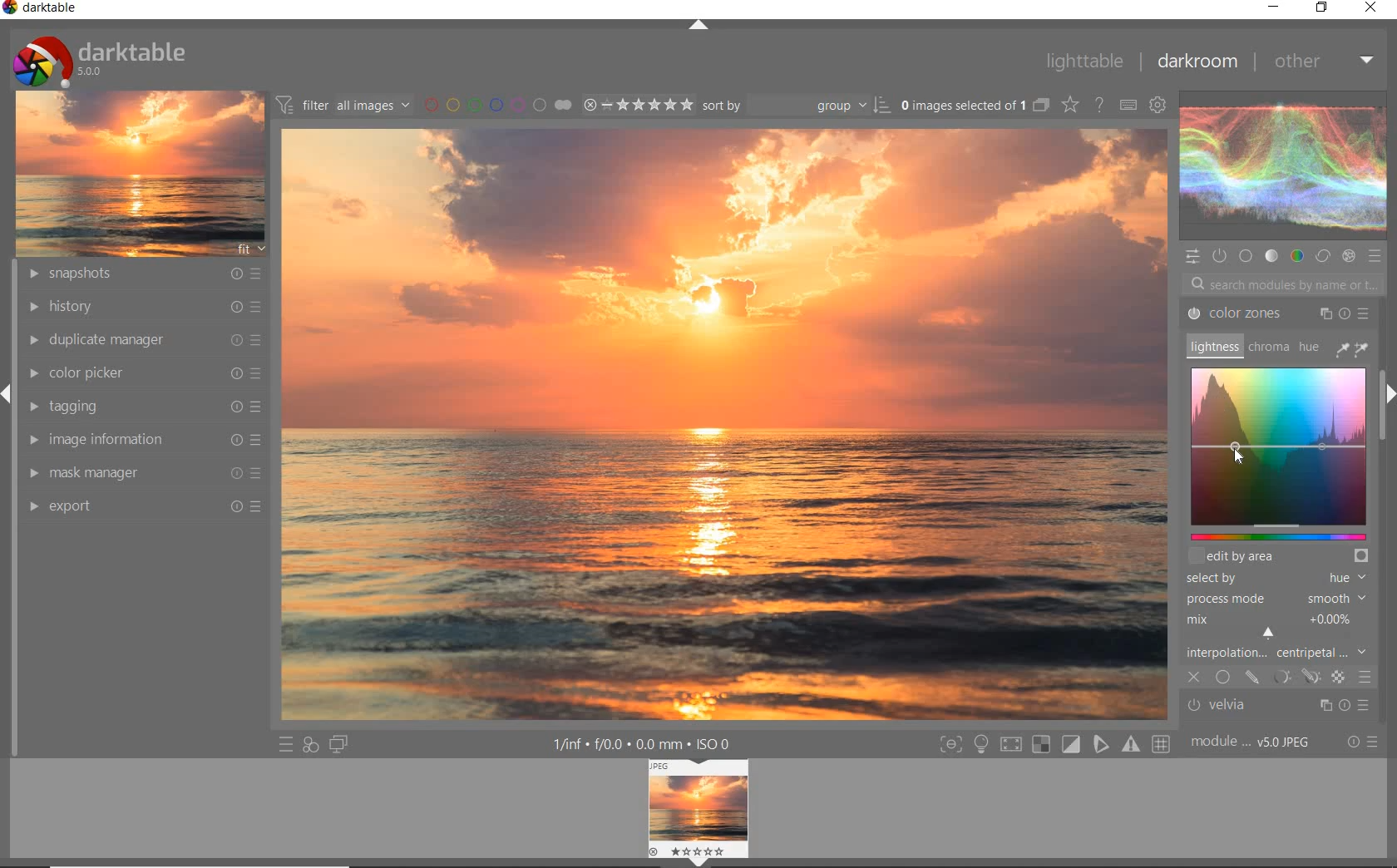  What do you see at coordinates (1194, 255) in the screenshot?
I see `QUICK ACCESS PANEL` at bounding box center [1194, 255].